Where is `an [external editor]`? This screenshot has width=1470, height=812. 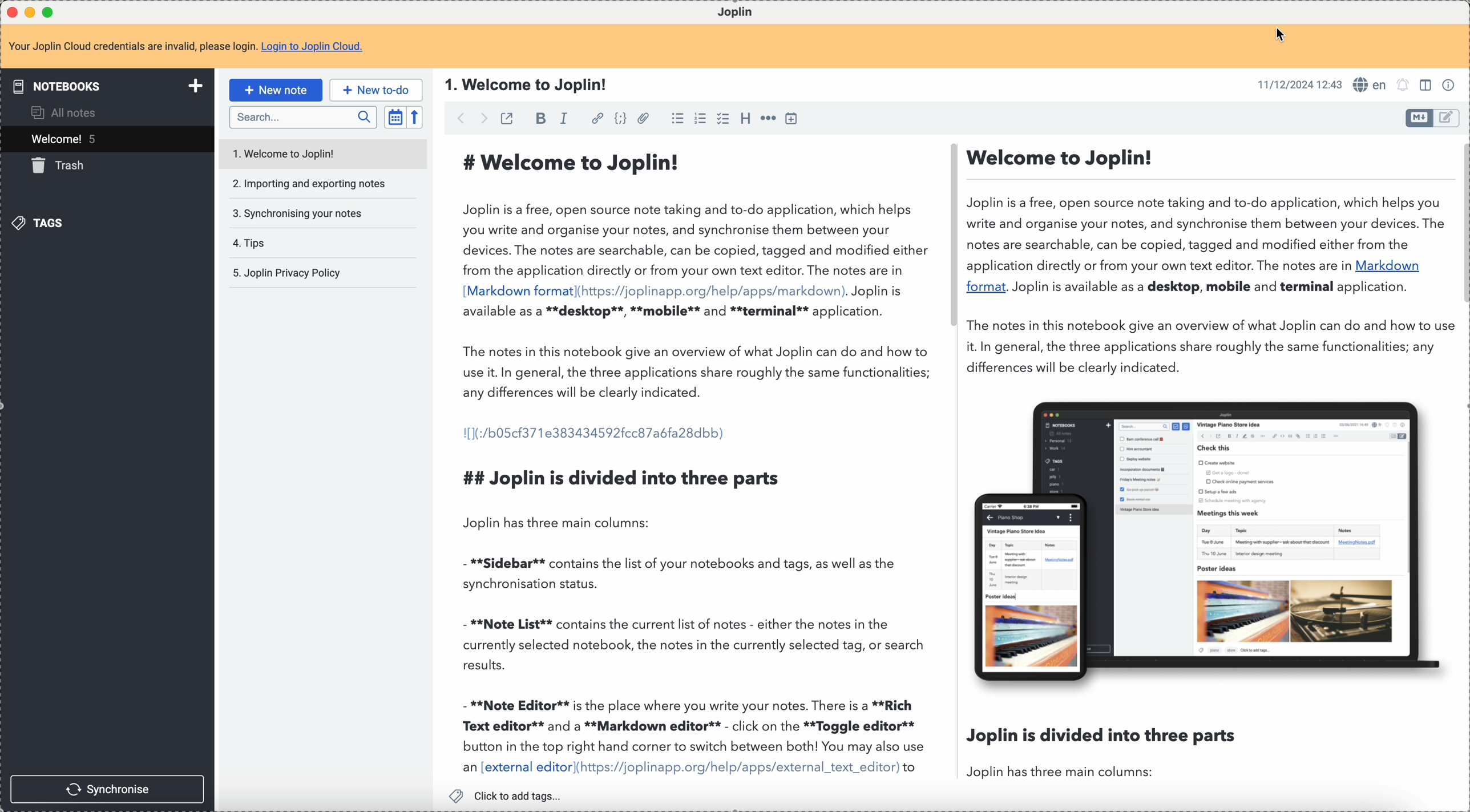 an [external editor] is located at coordinates (516, 767).